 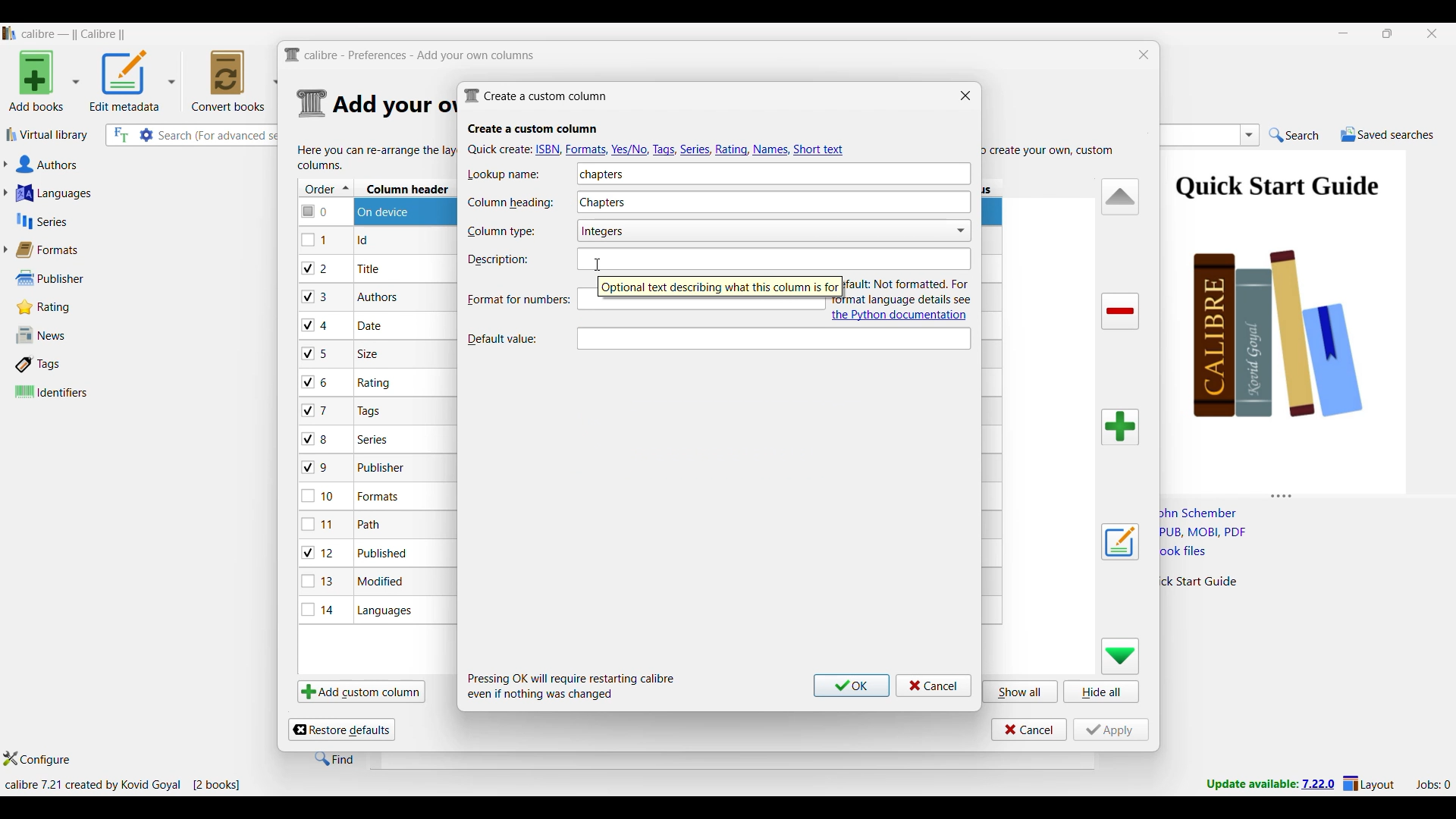 What do you see at coordinates (71, 364) in the screenshot?
I see `Tags` at bounding box center [71, 364].